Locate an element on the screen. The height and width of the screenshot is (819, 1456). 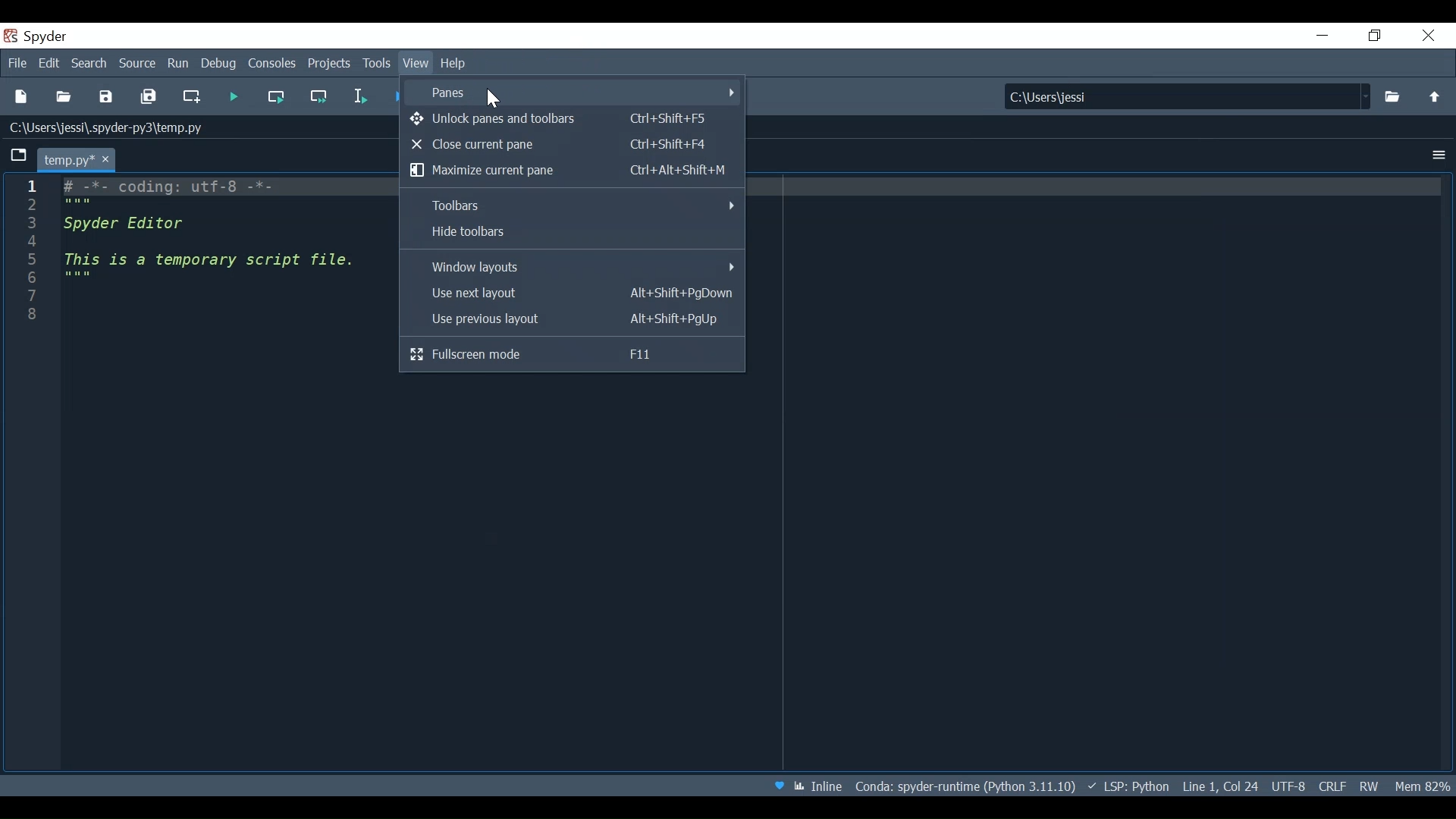
Run is located at coordinates (177, 63).